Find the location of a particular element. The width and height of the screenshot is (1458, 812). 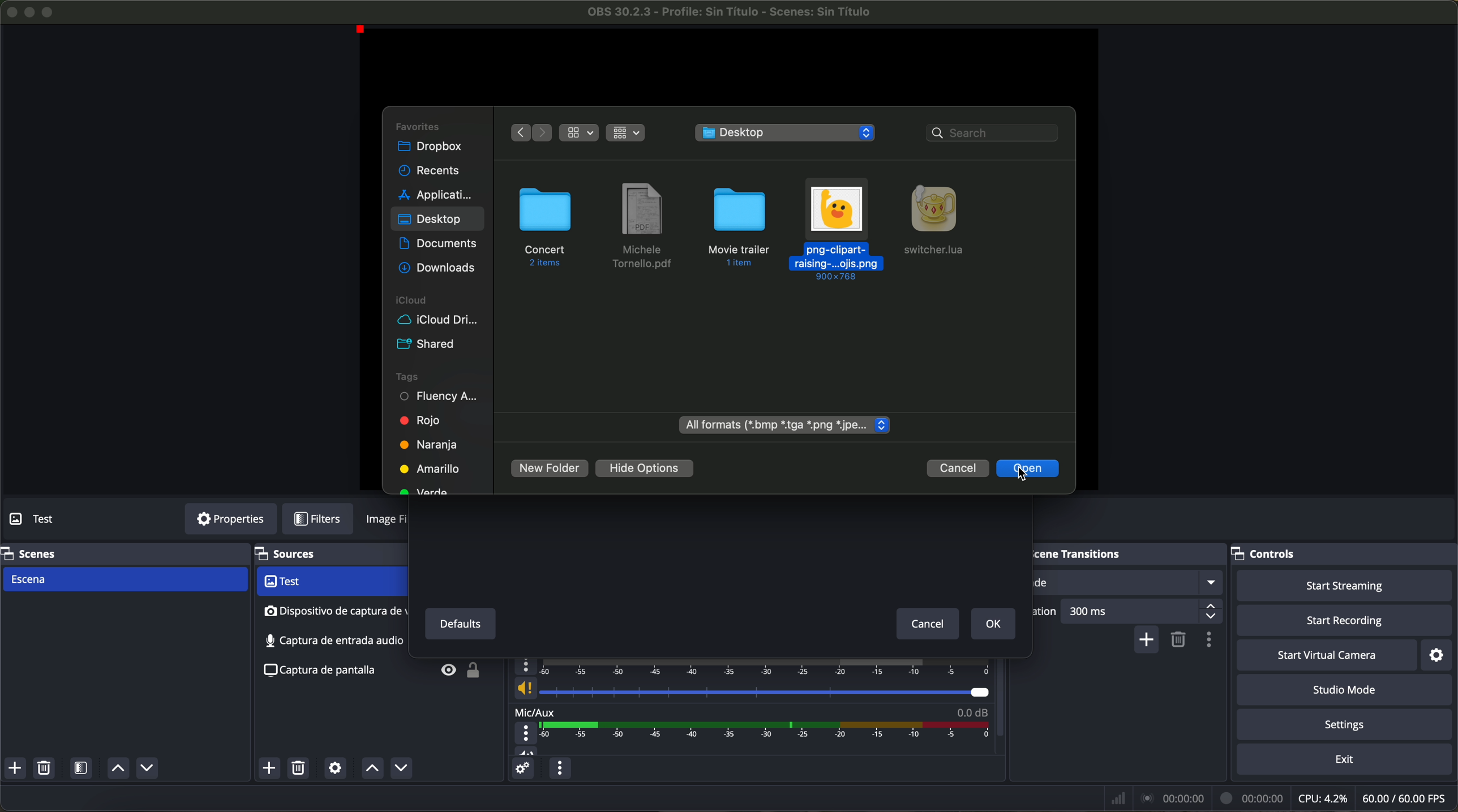

remove selected source is located at coordinates (301, 768).